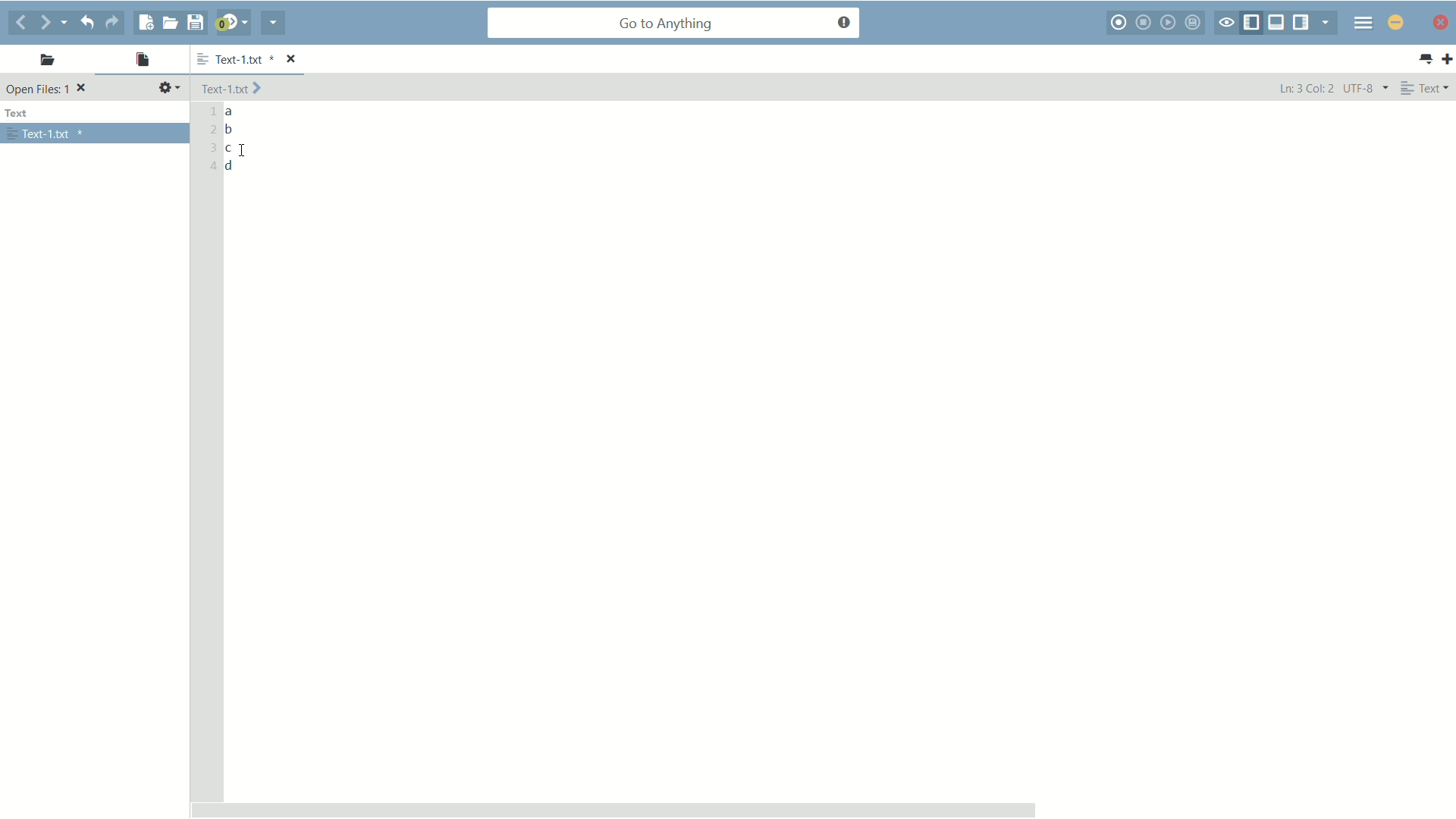  Describe the element at coordinates (231, 23) in the screenshot. I see `jump to next syntax checking result` at that location.